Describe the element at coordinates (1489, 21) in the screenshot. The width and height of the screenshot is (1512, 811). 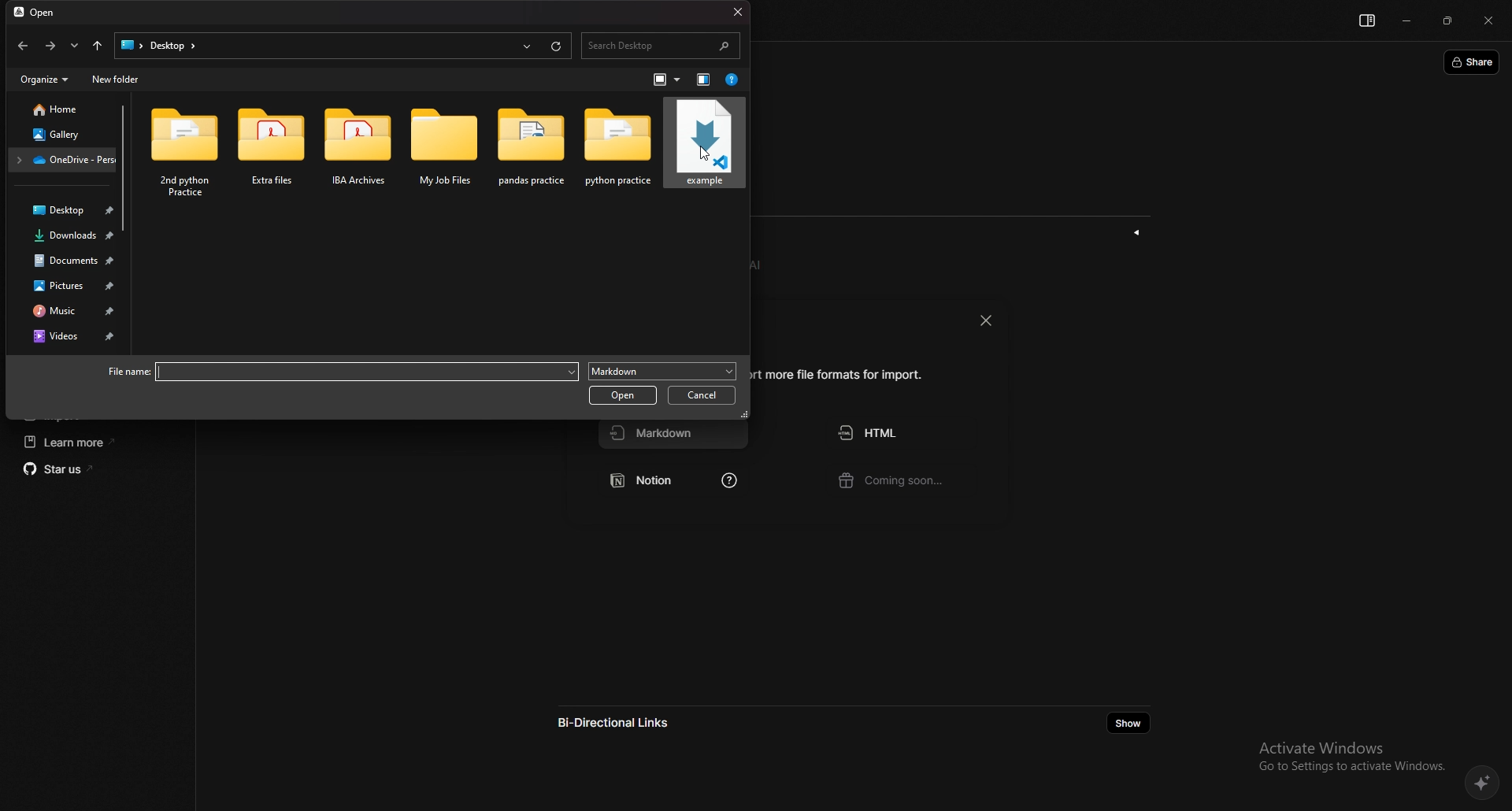
I see `close` at that location.